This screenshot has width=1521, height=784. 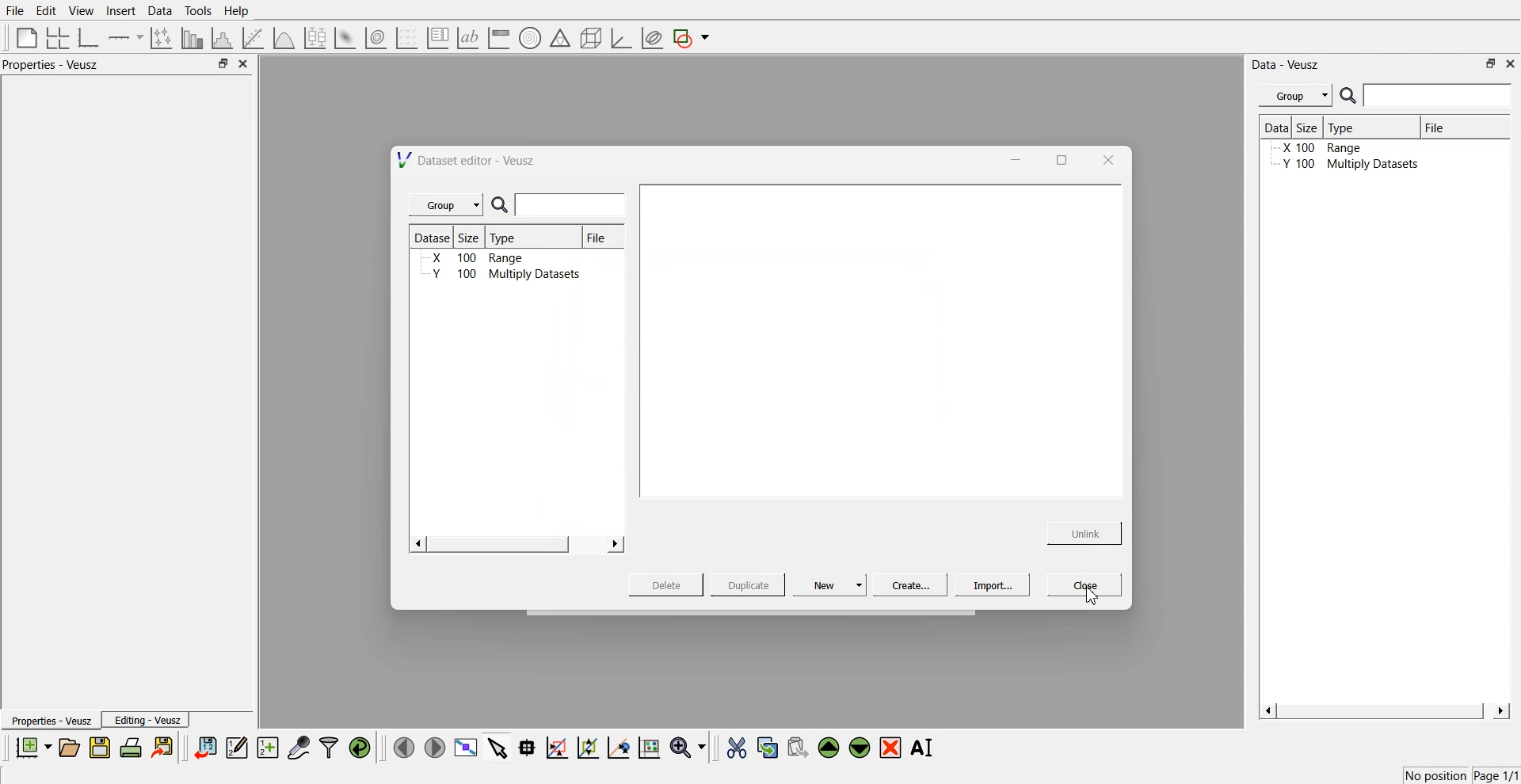 I want to click on close, so click(x=244, y=64).